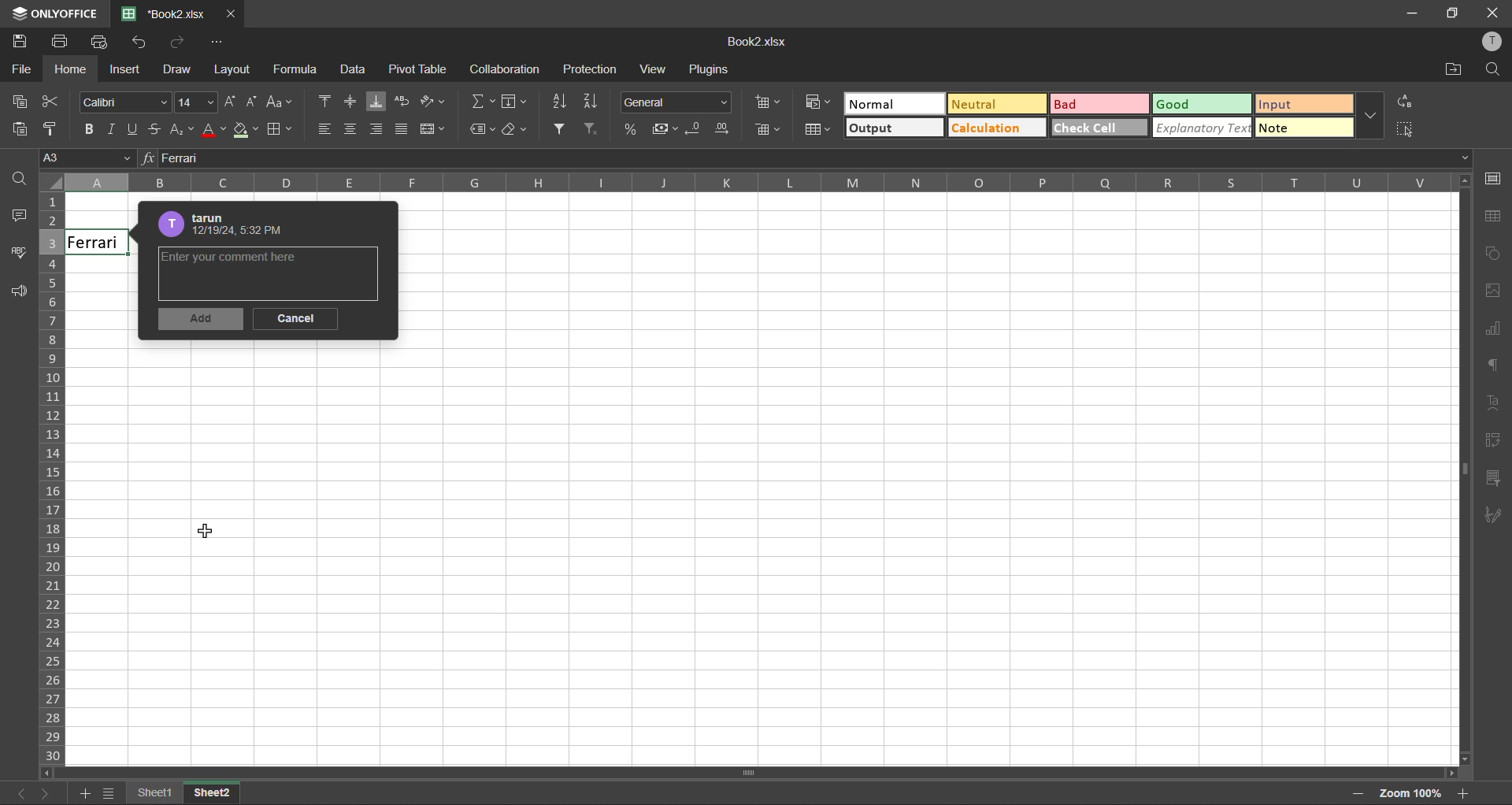  Describe the element at coordinates (11, 793) in the screenshot. I see `previous` at that location.